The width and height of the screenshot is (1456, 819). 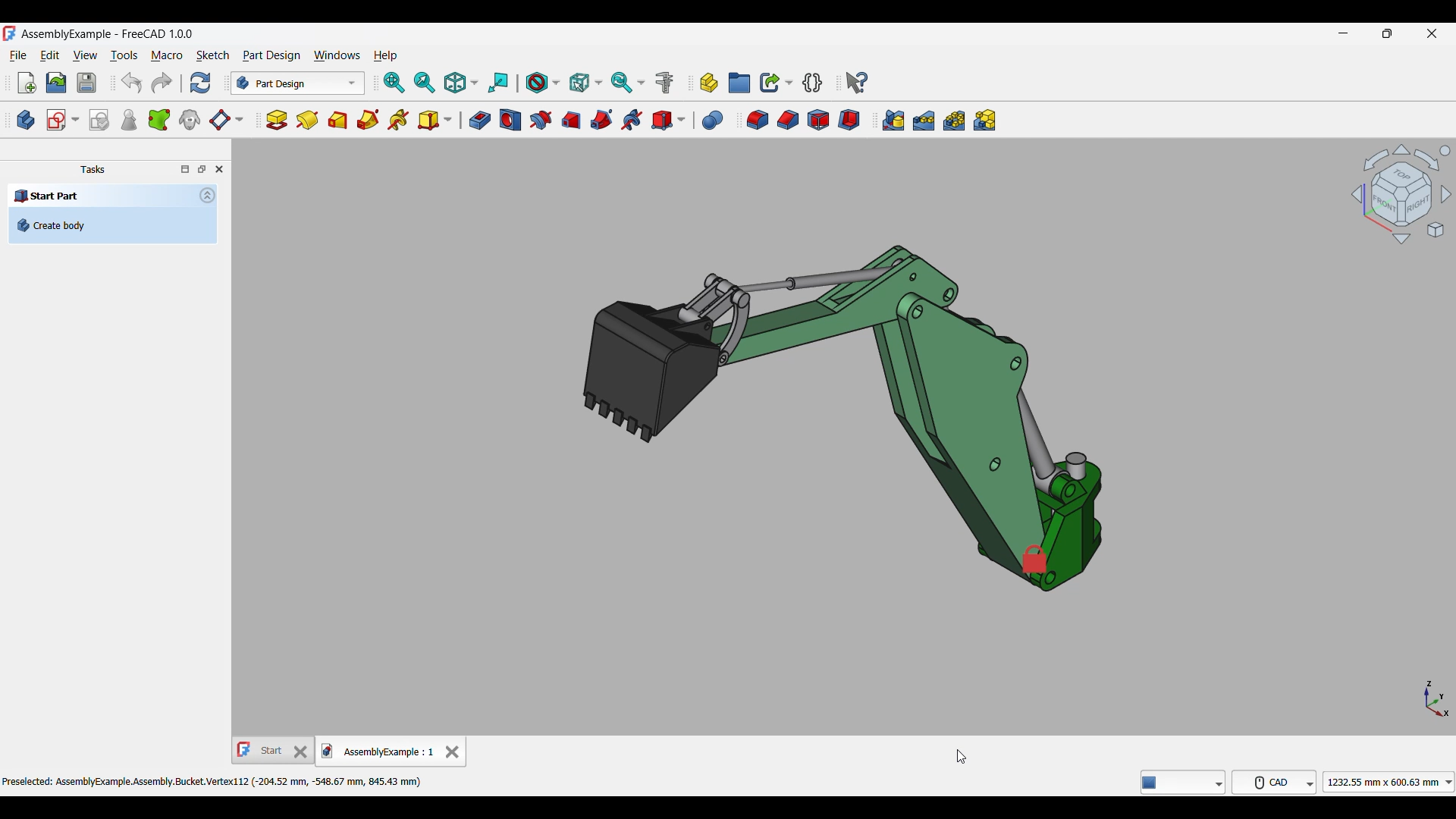 I want to click on CAD, so click(x=1277, y=781).